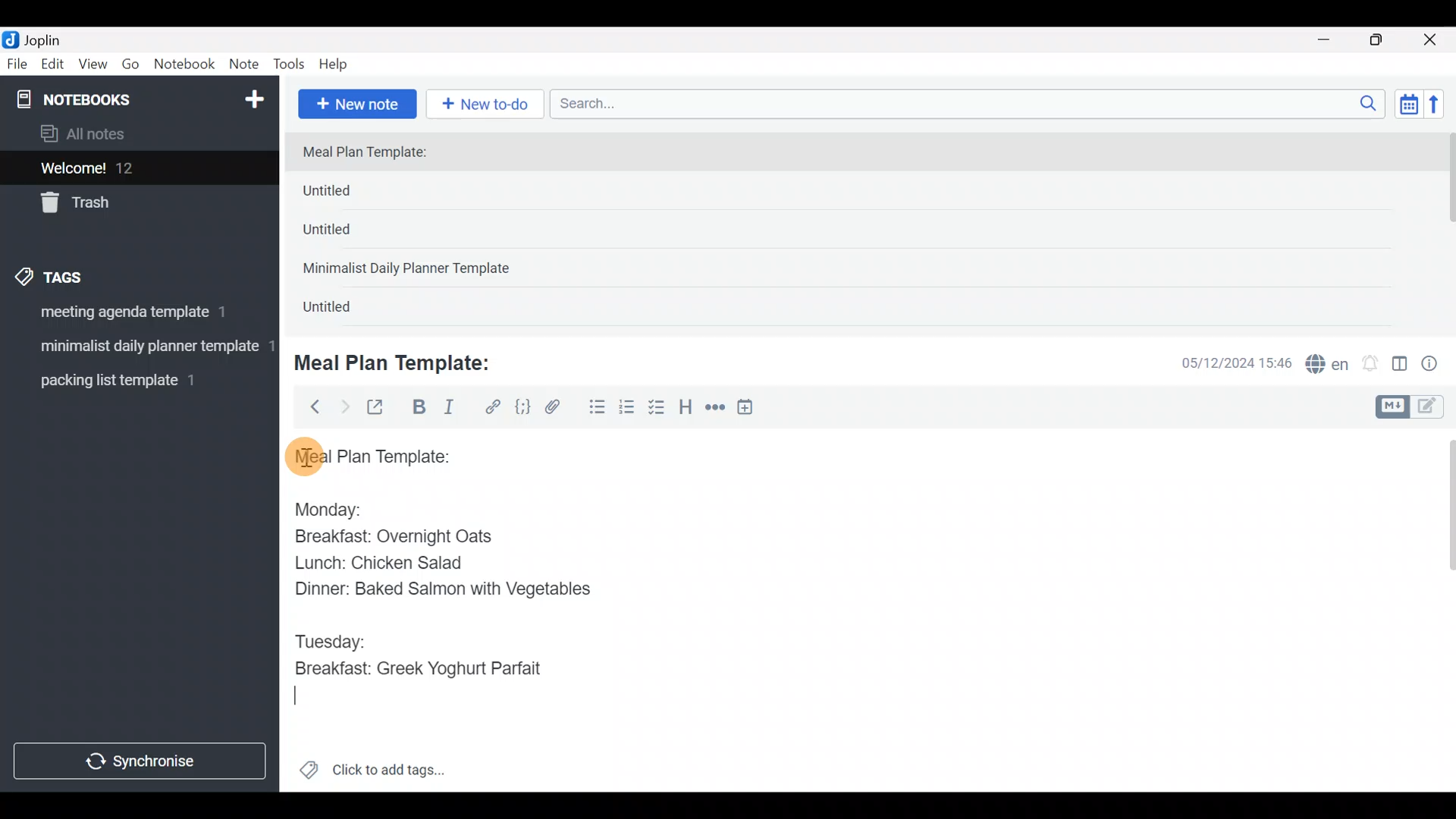 The width and height of the screenshot is (1456, 819). What do you see at coordinates (447, 410) in the screenshot?
I see `Italic` at bounding box center [447, 410].